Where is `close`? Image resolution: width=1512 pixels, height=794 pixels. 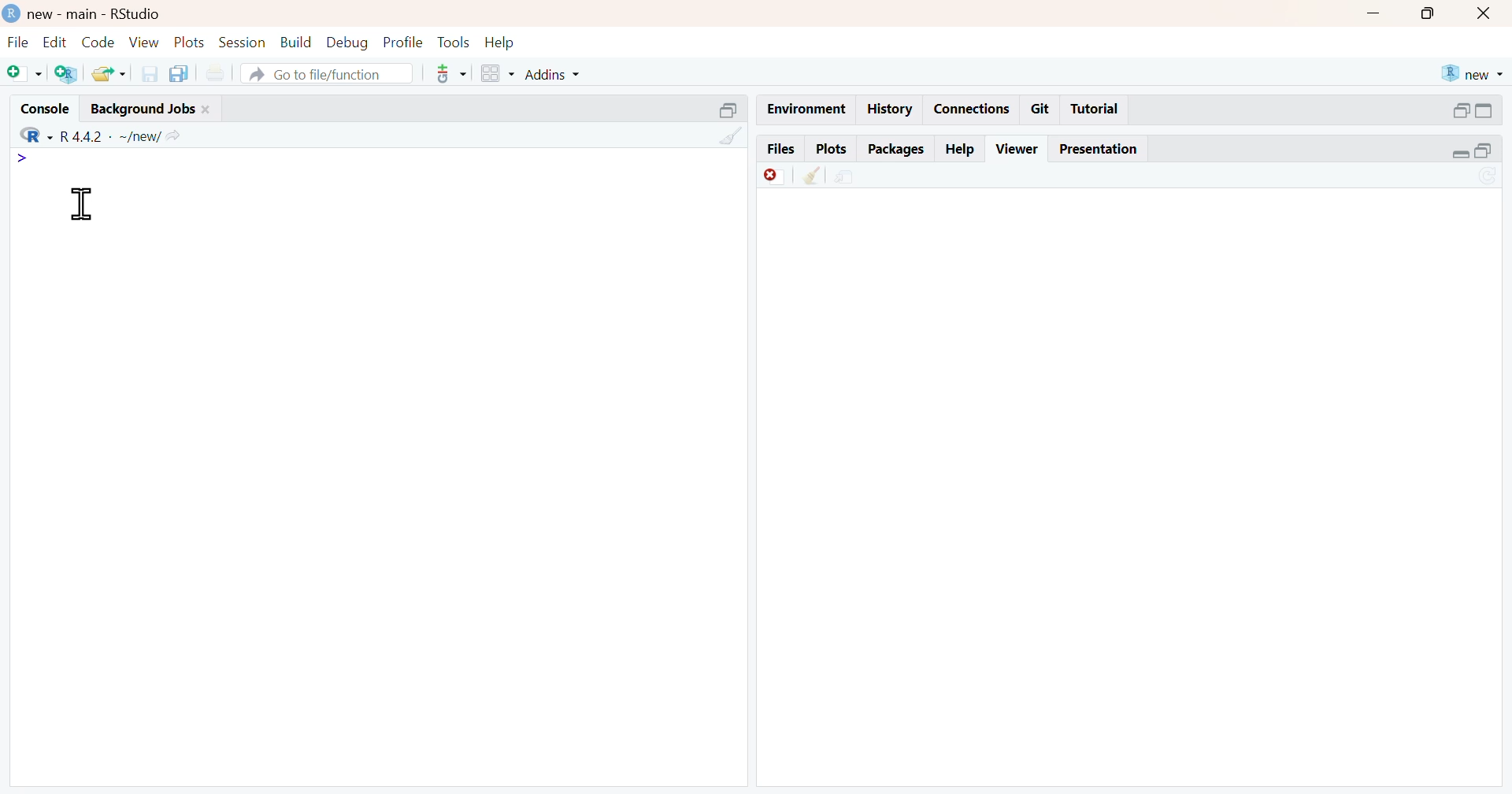
close is located at coordinates (1488, 15).